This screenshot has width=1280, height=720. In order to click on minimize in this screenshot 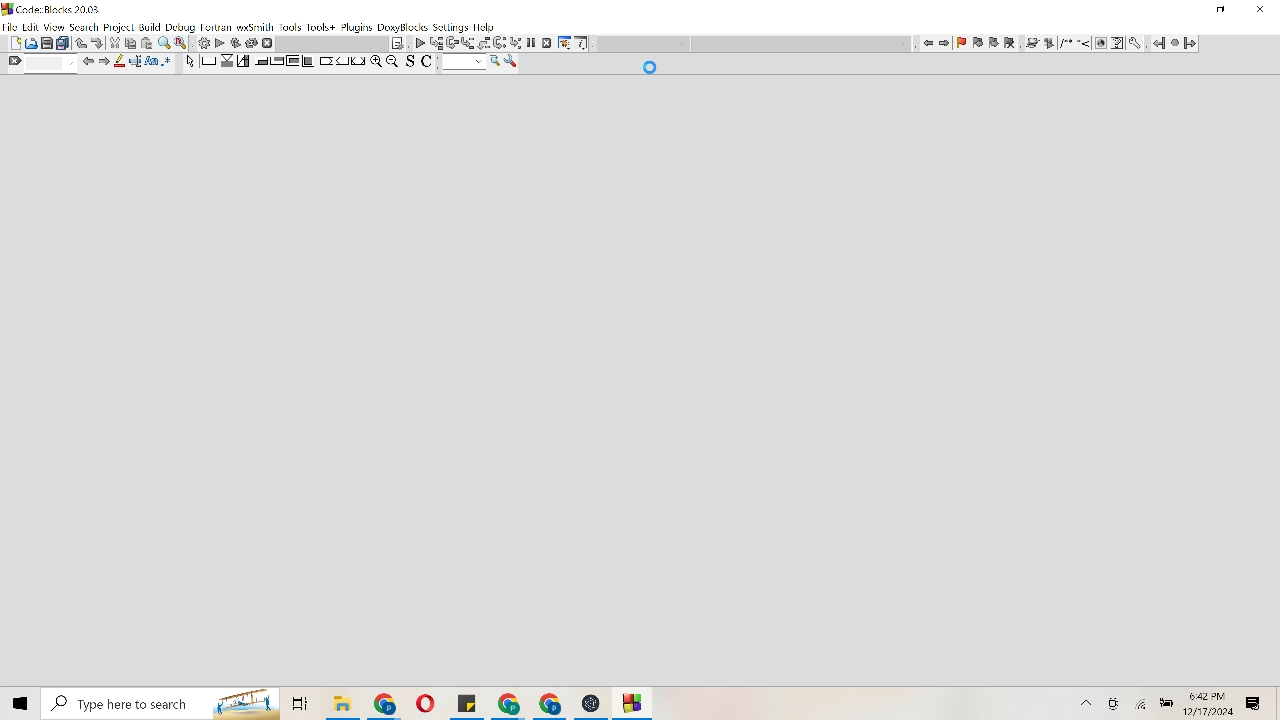, I will do `click(1222, 10)`.